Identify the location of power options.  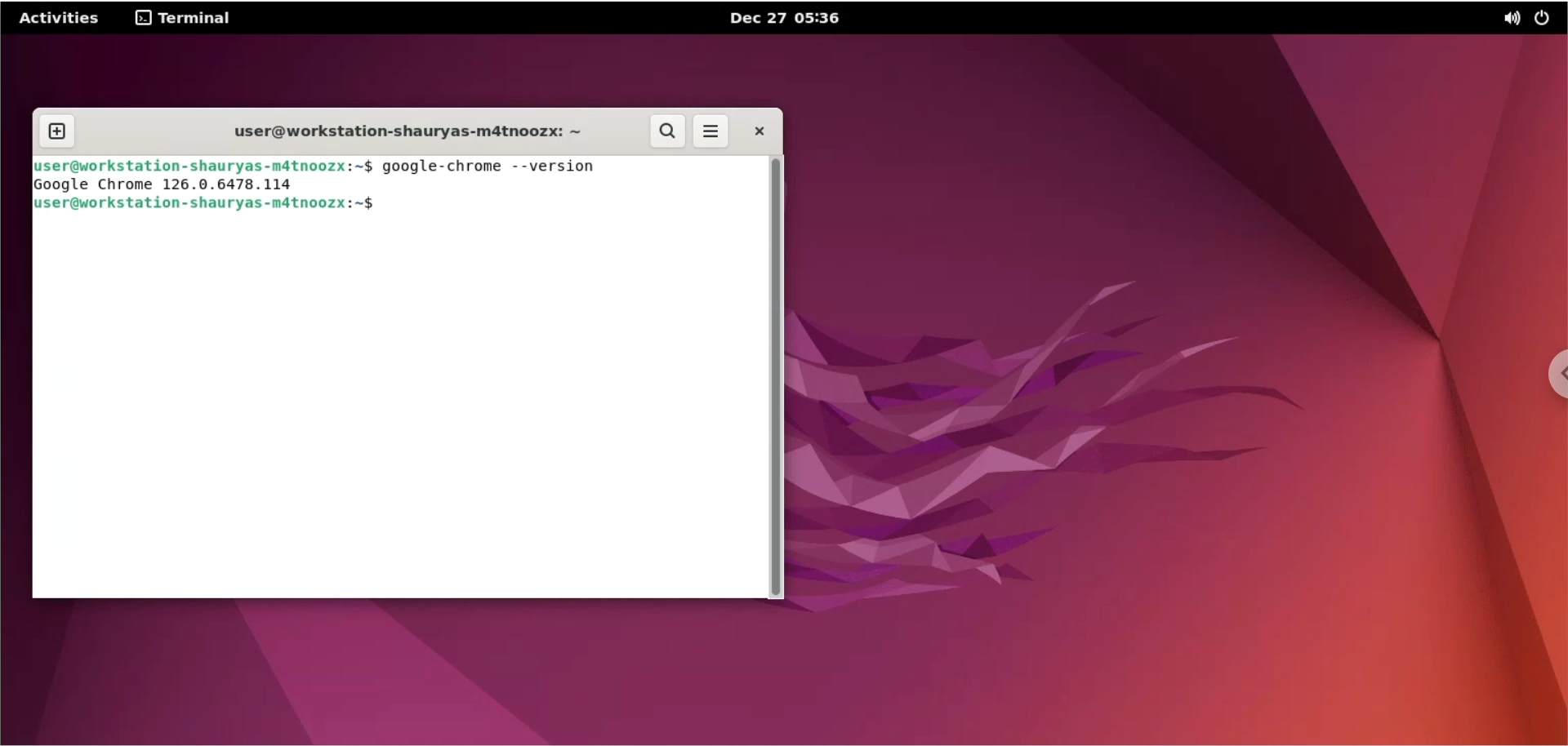
(1546, 18).